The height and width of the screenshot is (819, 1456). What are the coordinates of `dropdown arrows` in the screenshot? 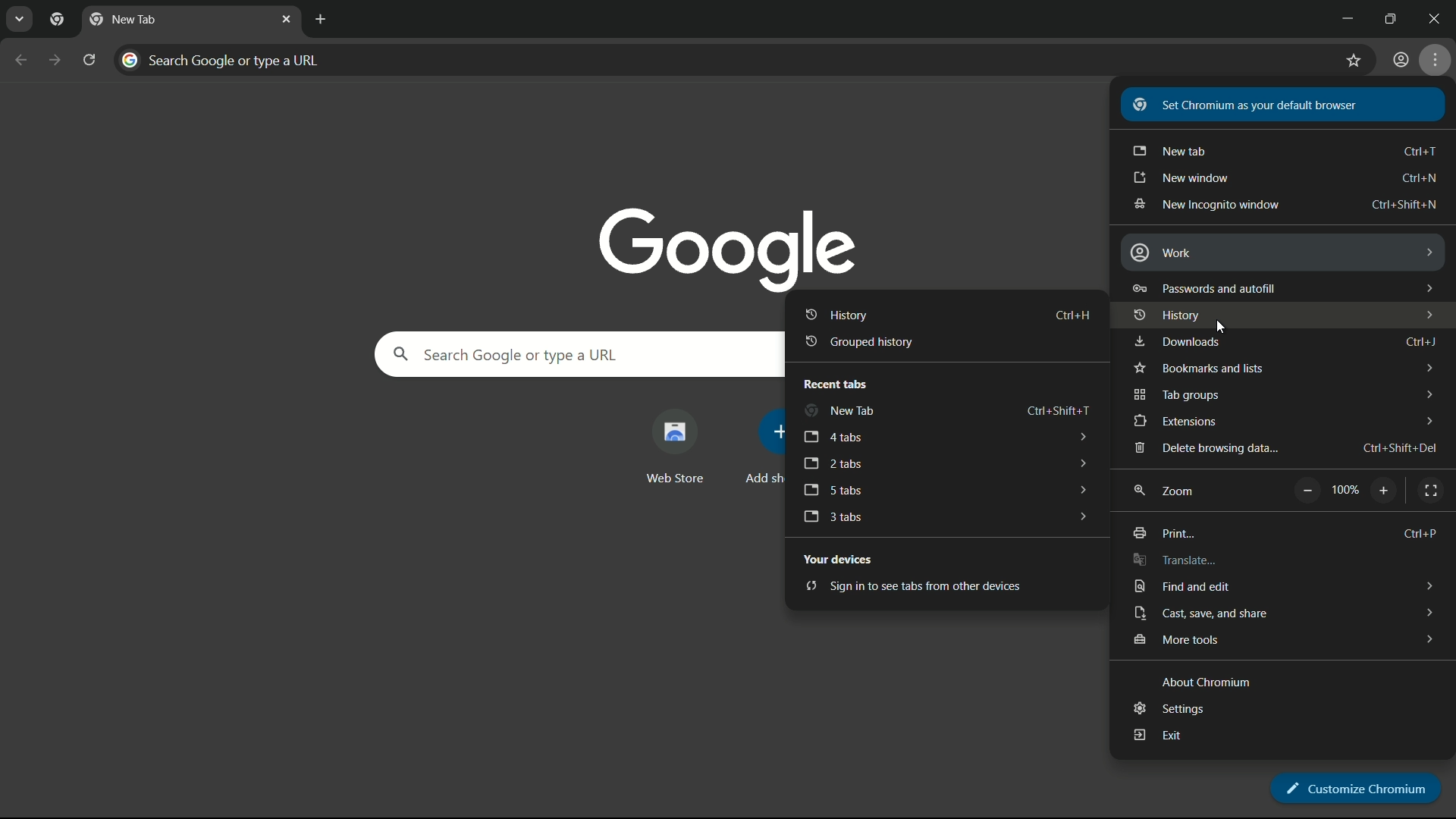 It's located at (1081, 438).